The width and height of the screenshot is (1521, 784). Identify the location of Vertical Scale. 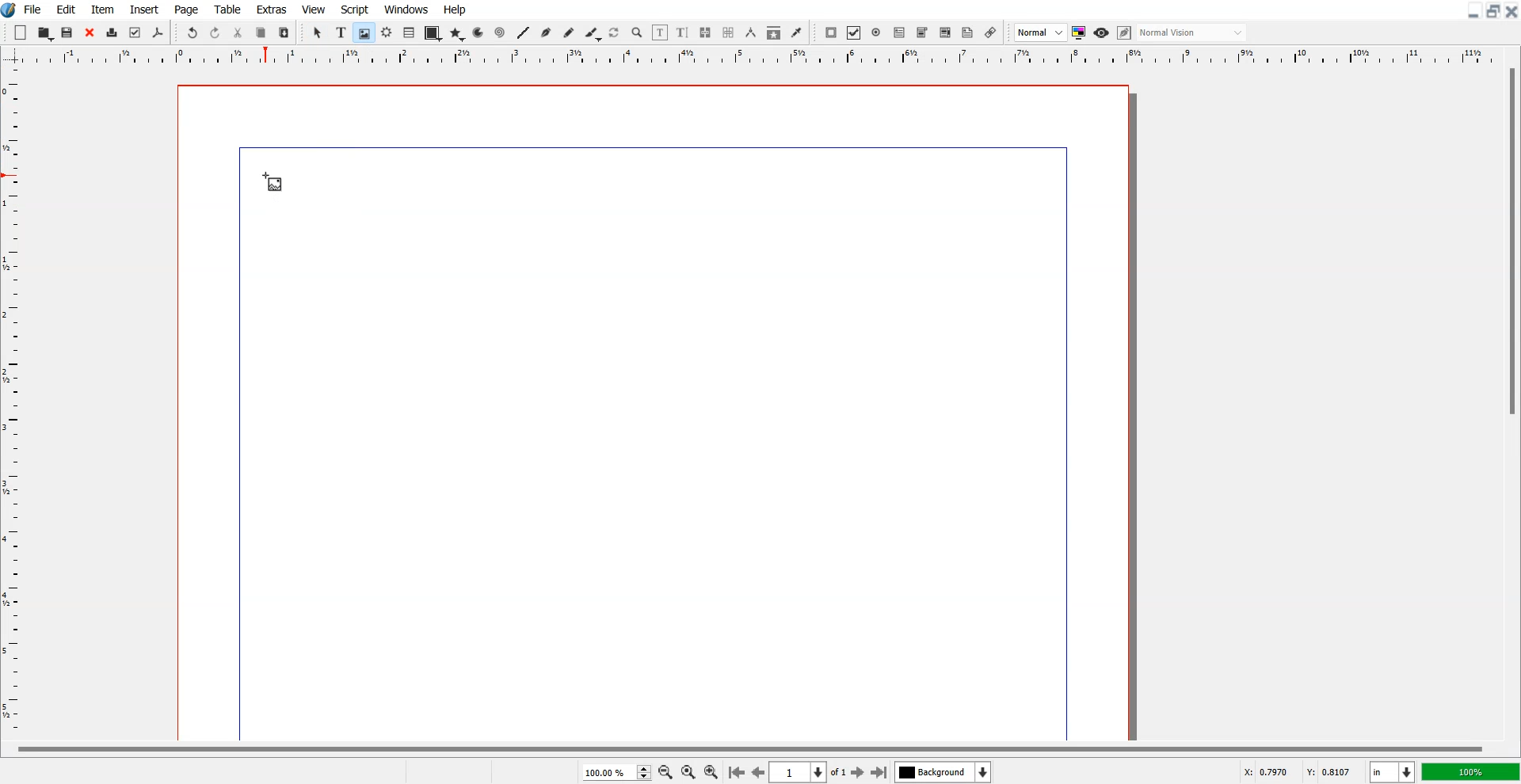
(760, 57).